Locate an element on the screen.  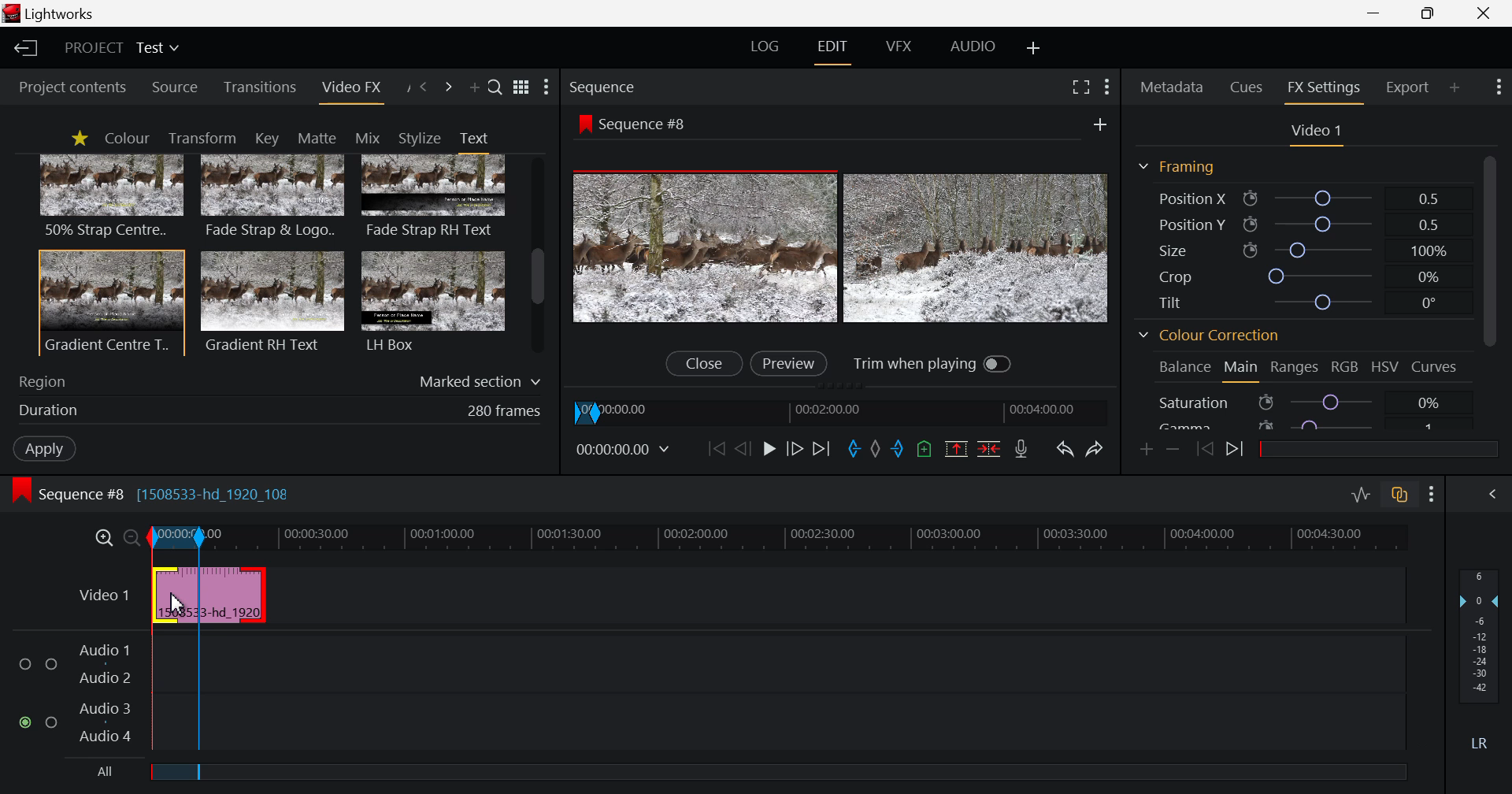
audio 4 is located at coordinates (102, 738).